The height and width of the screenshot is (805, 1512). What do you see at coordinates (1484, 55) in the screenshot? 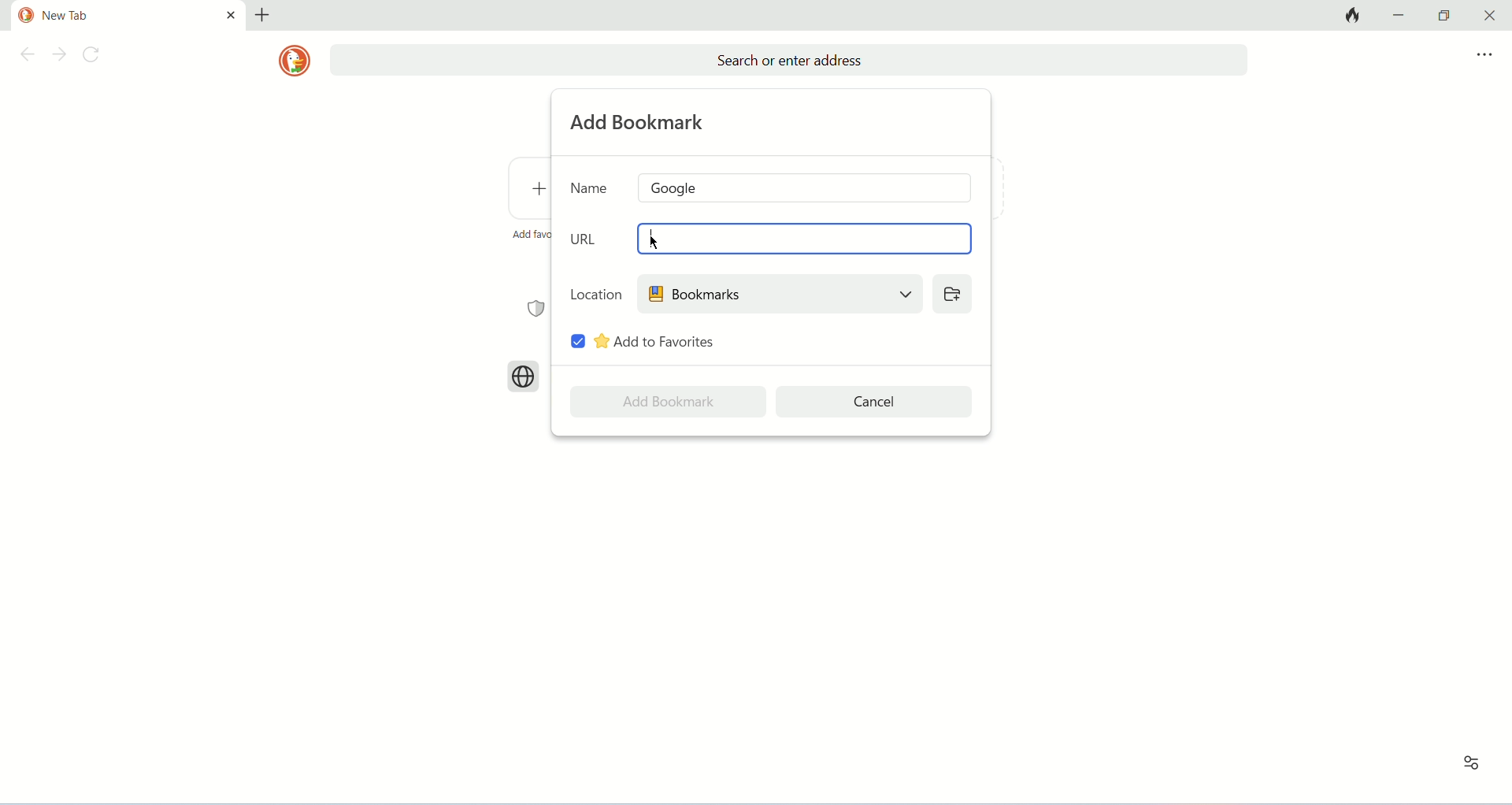
I see `more options` at bounding box center [1484, 55].